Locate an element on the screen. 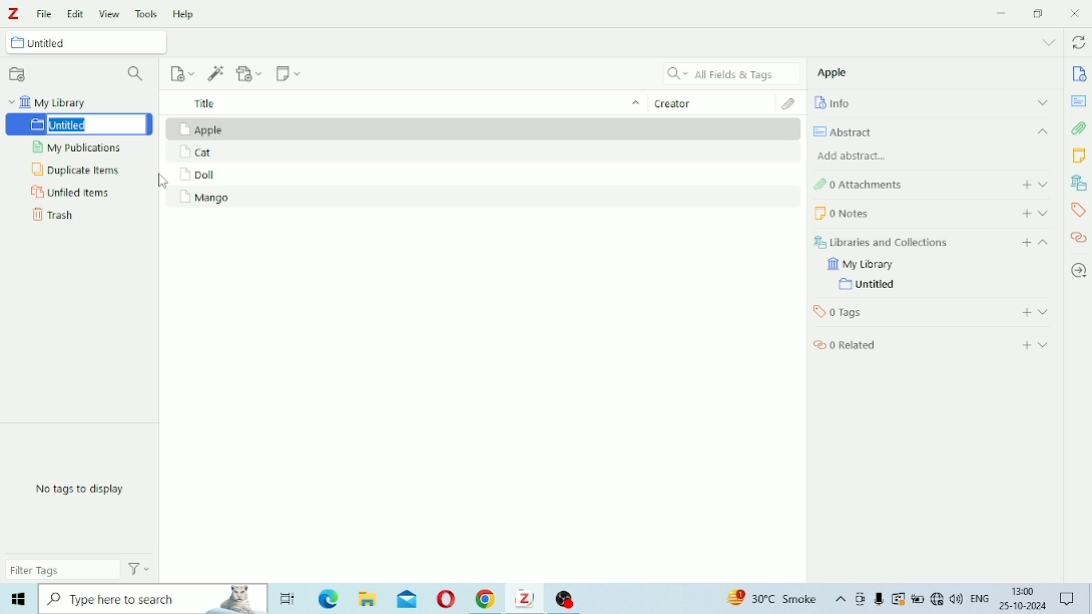 The height and width of the screenshot is (614, 1092). Info is located at coordinates (1080, 75).